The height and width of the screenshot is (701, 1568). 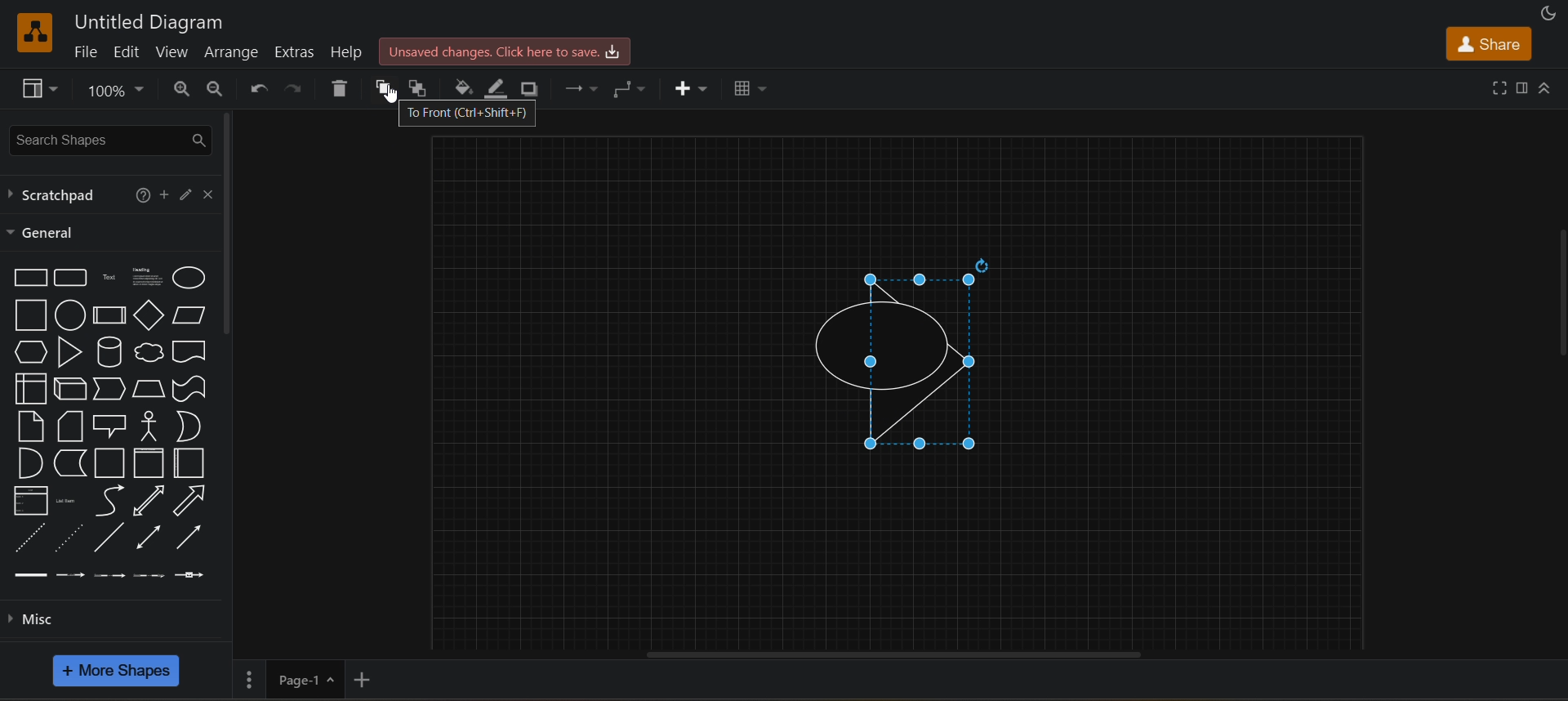 What do you see at coordinates (906, 358) in the screenshot?
I see `selected triangle shape` at bounding box center [906, 358].